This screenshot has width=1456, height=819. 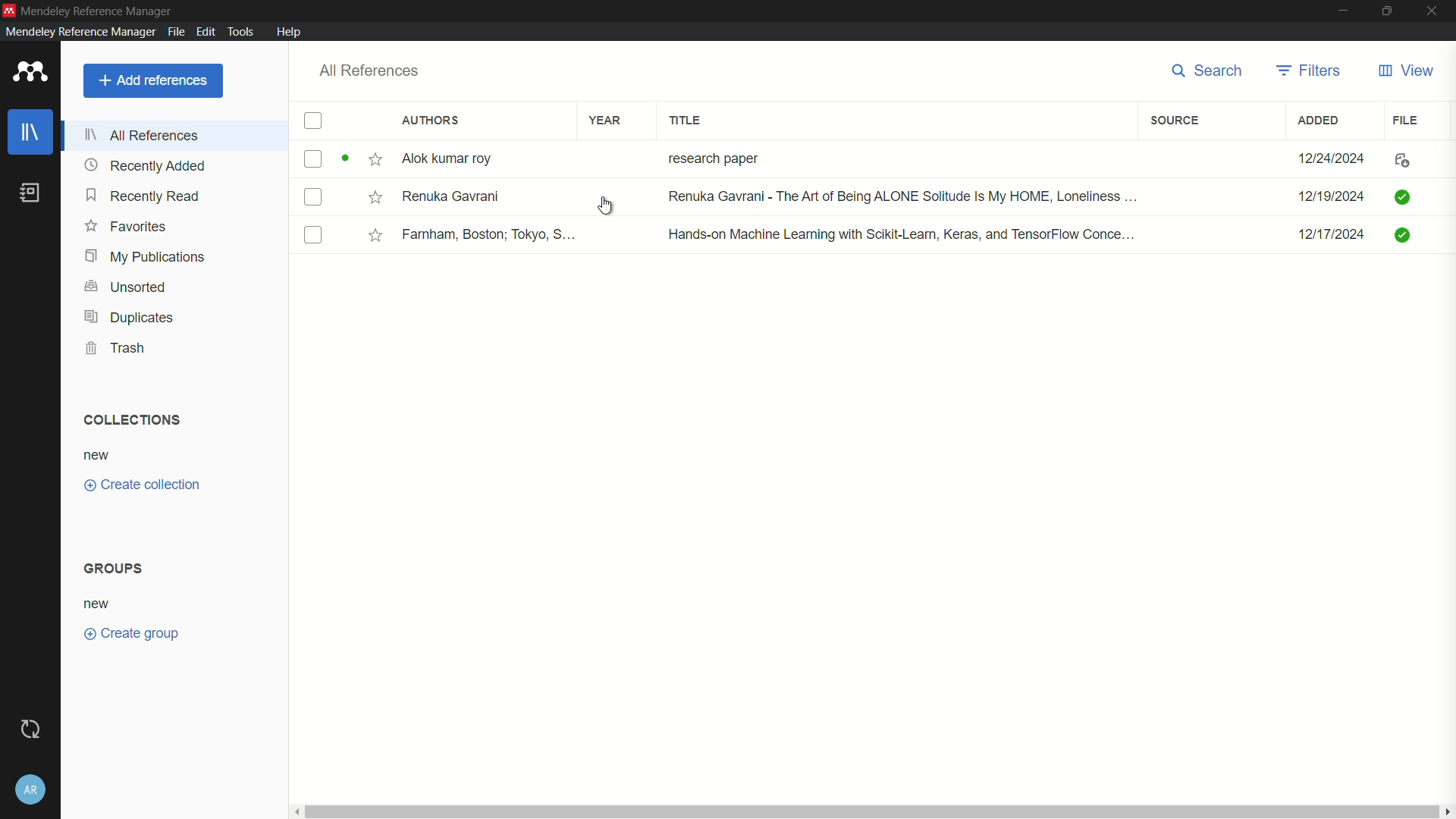 What do you see at coordinates (1407, 71) in the screenshot?
I see `view` at bounding box center [1407, 71].